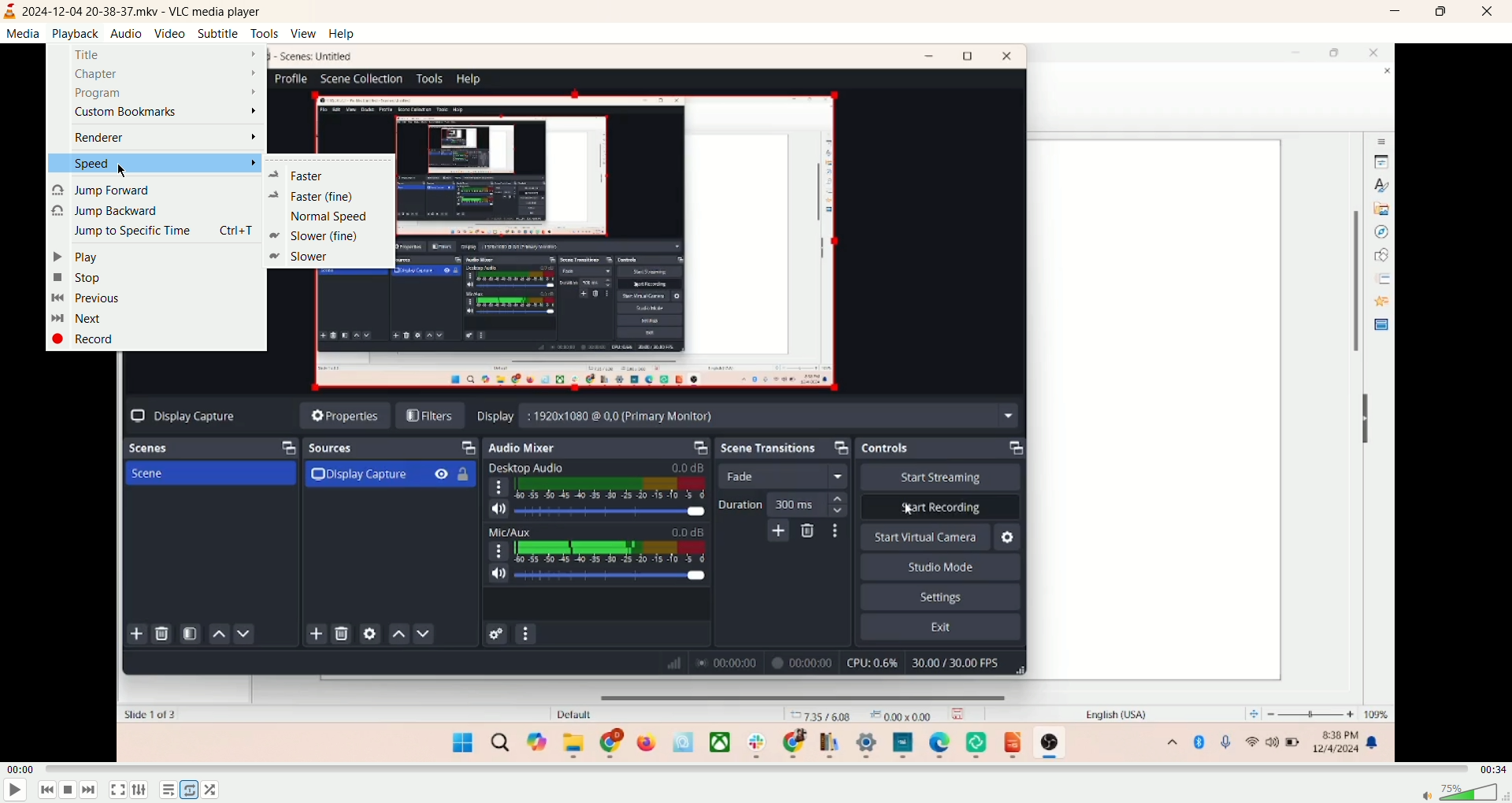 This screenshot has width=1512, height=803. Describe the element at coordinates (16, 792) in the screenshot. I see `play/pause` at that location.